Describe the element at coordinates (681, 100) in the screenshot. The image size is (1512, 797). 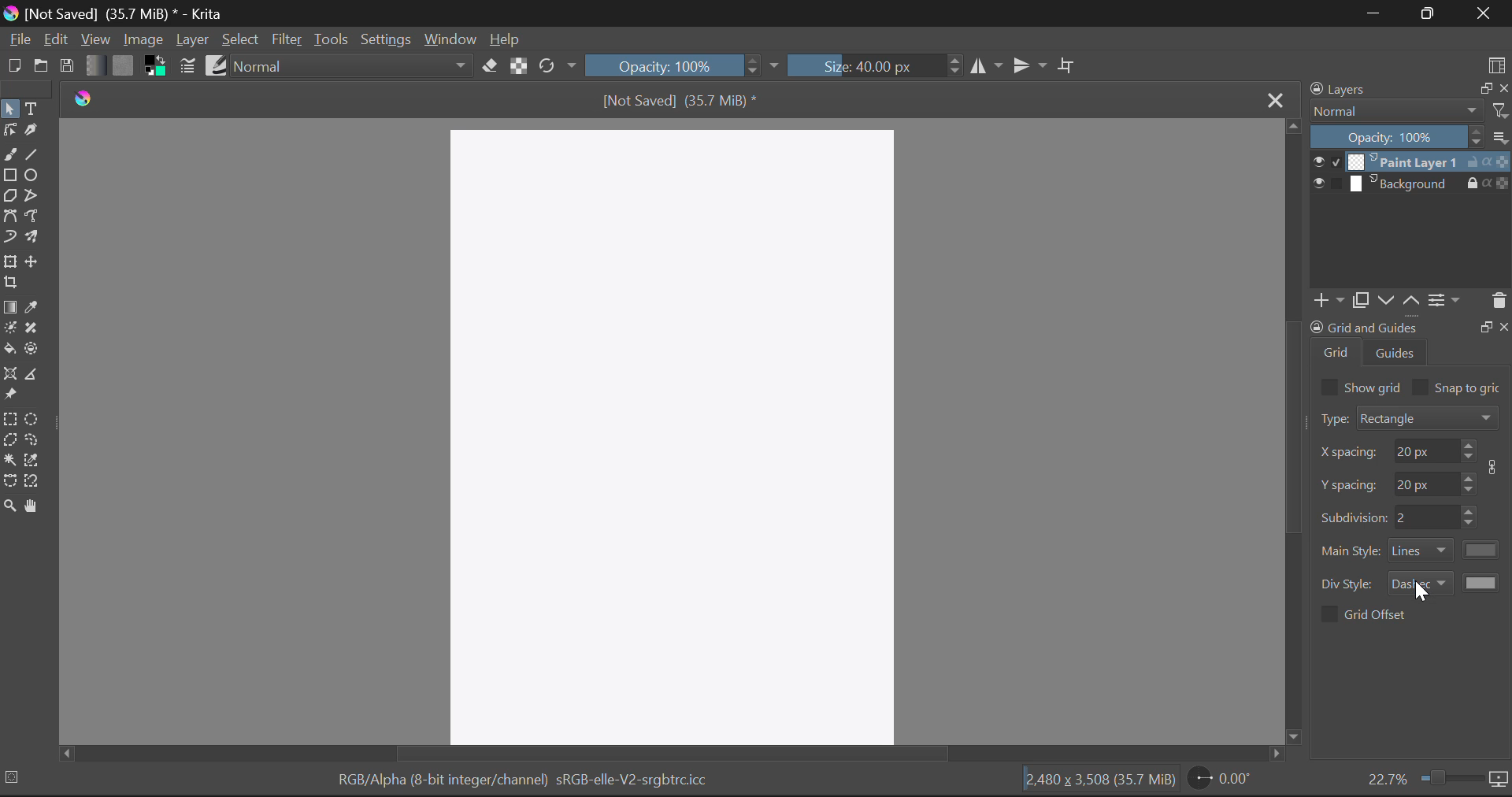
I see `[Not Saved] (35.7 MiB) *` at that location.